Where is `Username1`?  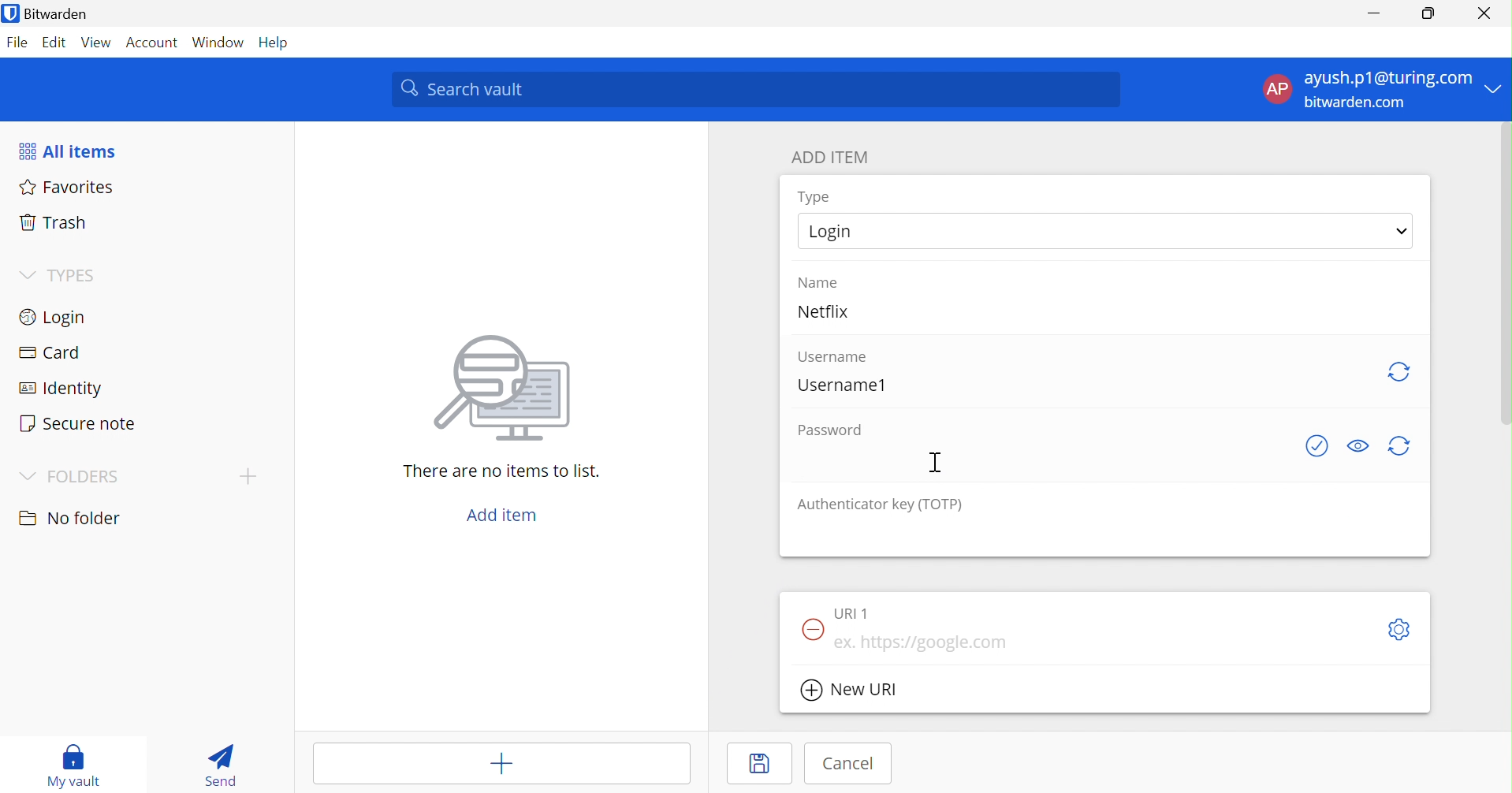
Username1 is located at coordinates (842, 386).